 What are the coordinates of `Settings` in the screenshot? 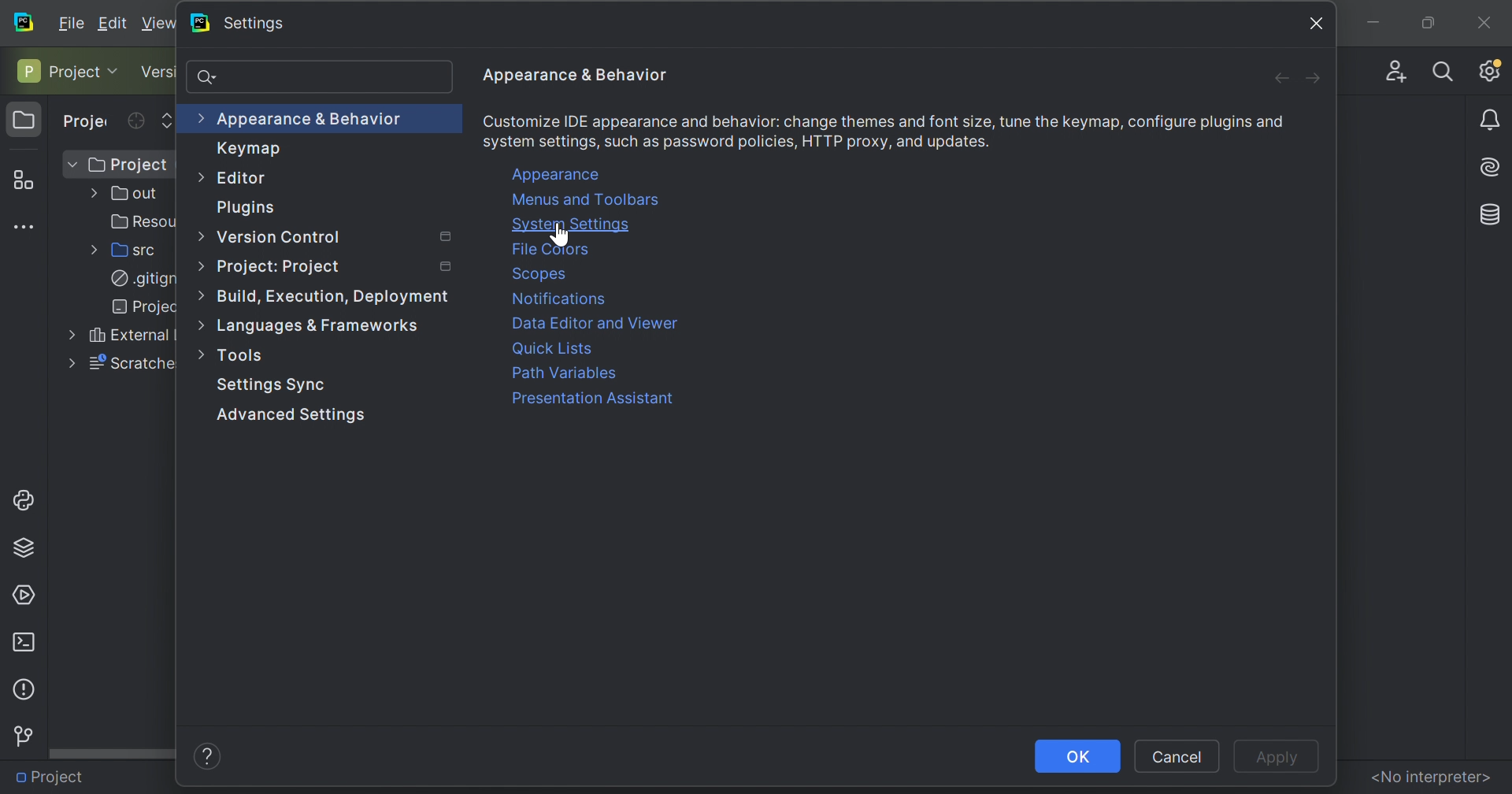 It's located at (255, 24).